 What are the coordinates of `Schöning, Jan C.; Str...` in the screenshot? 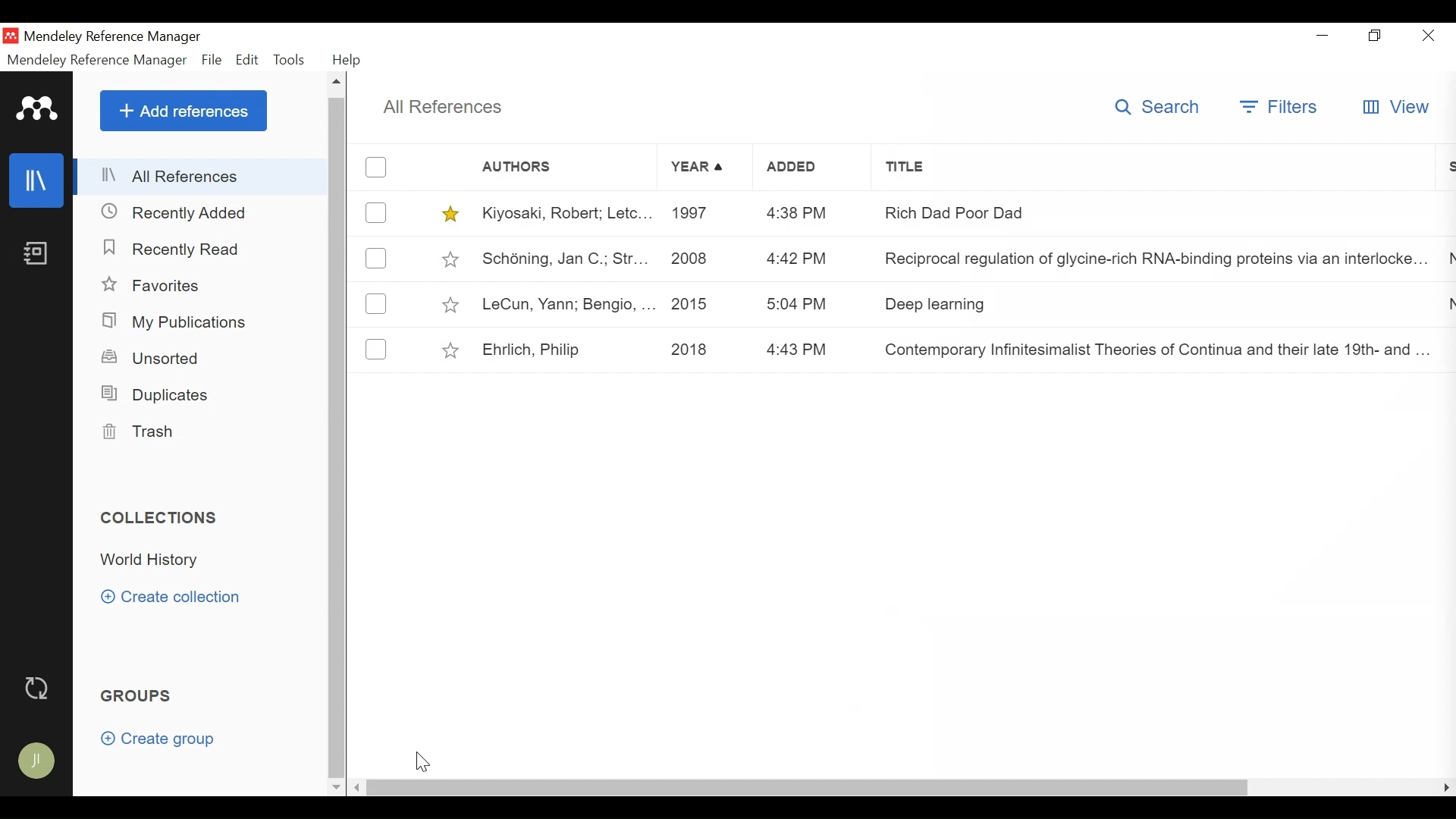 It's located at (565, 259).